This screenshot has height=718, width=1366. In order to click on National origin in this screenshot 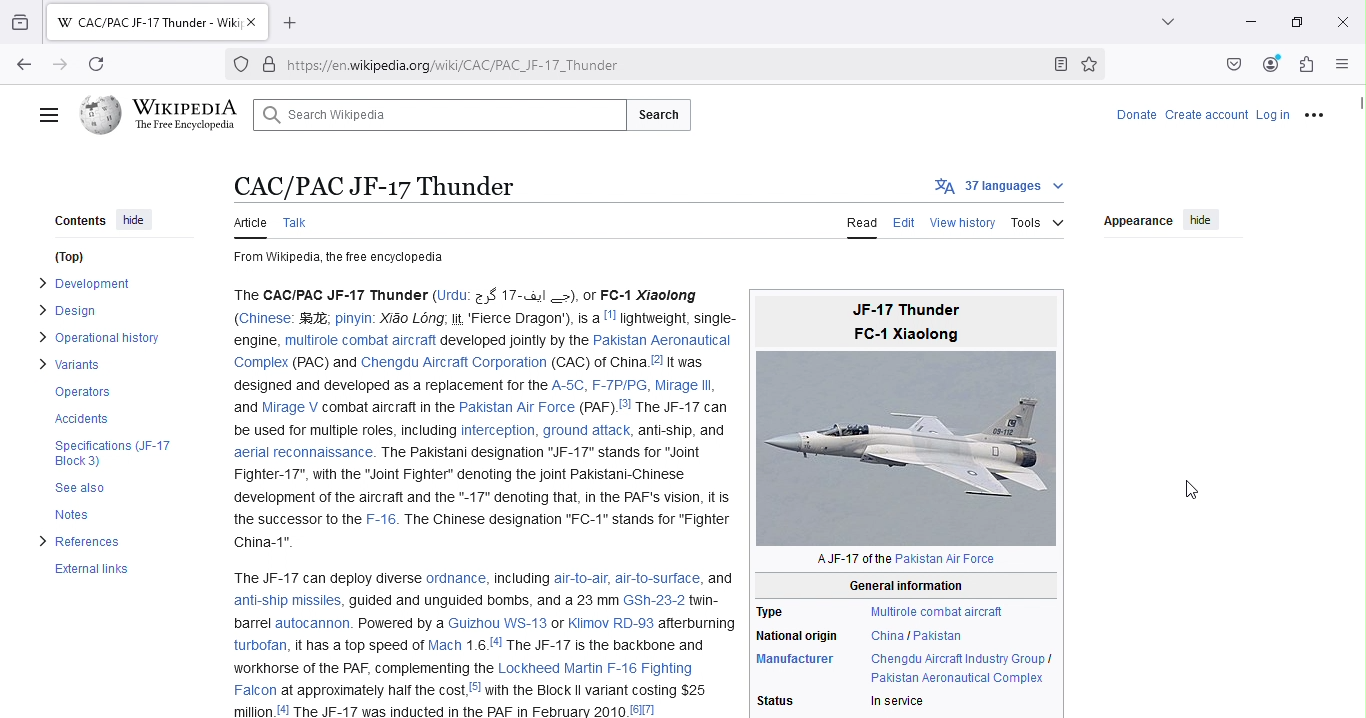, I will do `click(797, 634)`.